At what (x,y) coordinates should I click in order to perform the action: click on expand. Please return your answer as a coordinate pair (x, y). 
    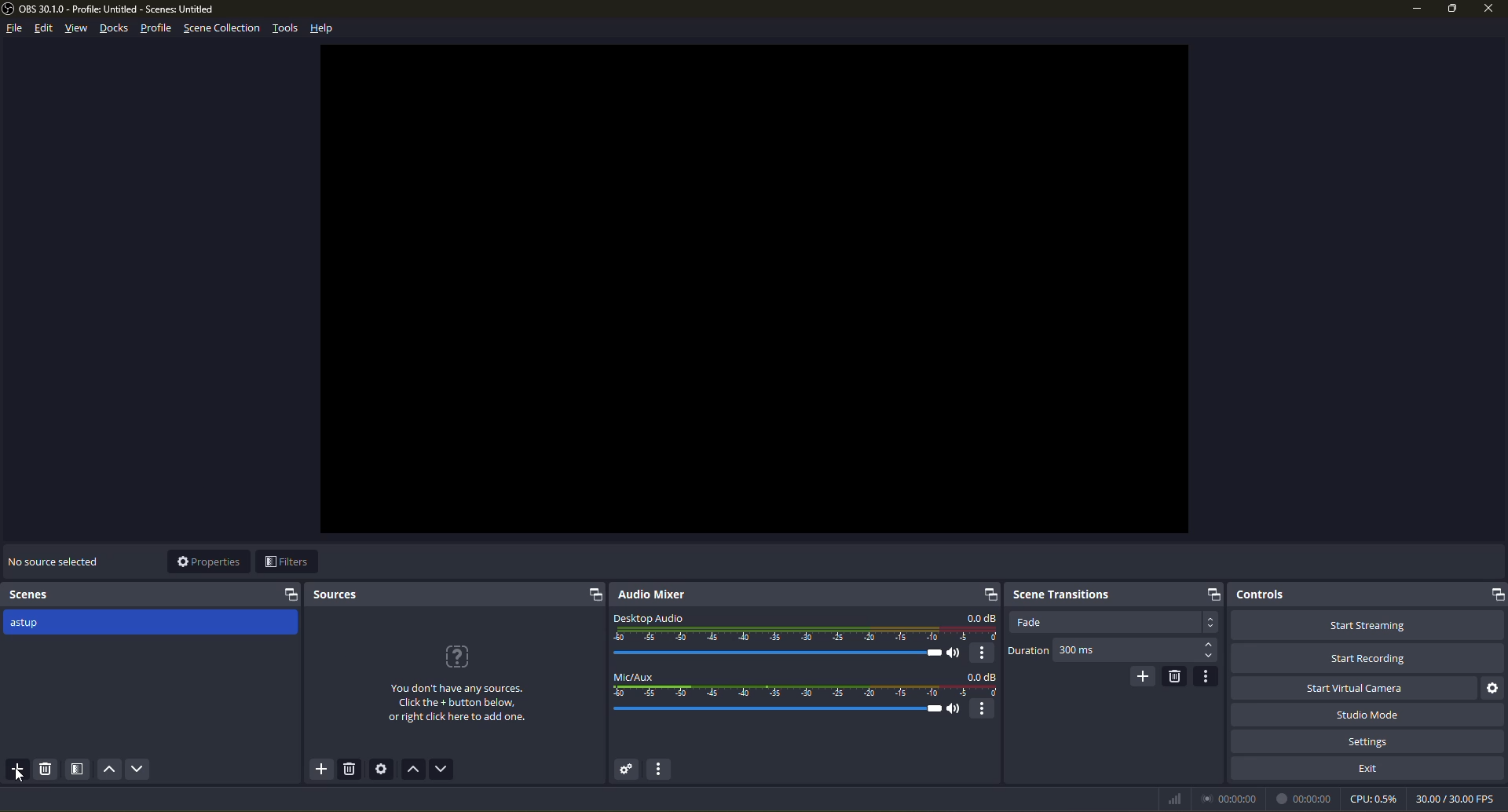
    Looking at the image, I should click on (1213, 594).